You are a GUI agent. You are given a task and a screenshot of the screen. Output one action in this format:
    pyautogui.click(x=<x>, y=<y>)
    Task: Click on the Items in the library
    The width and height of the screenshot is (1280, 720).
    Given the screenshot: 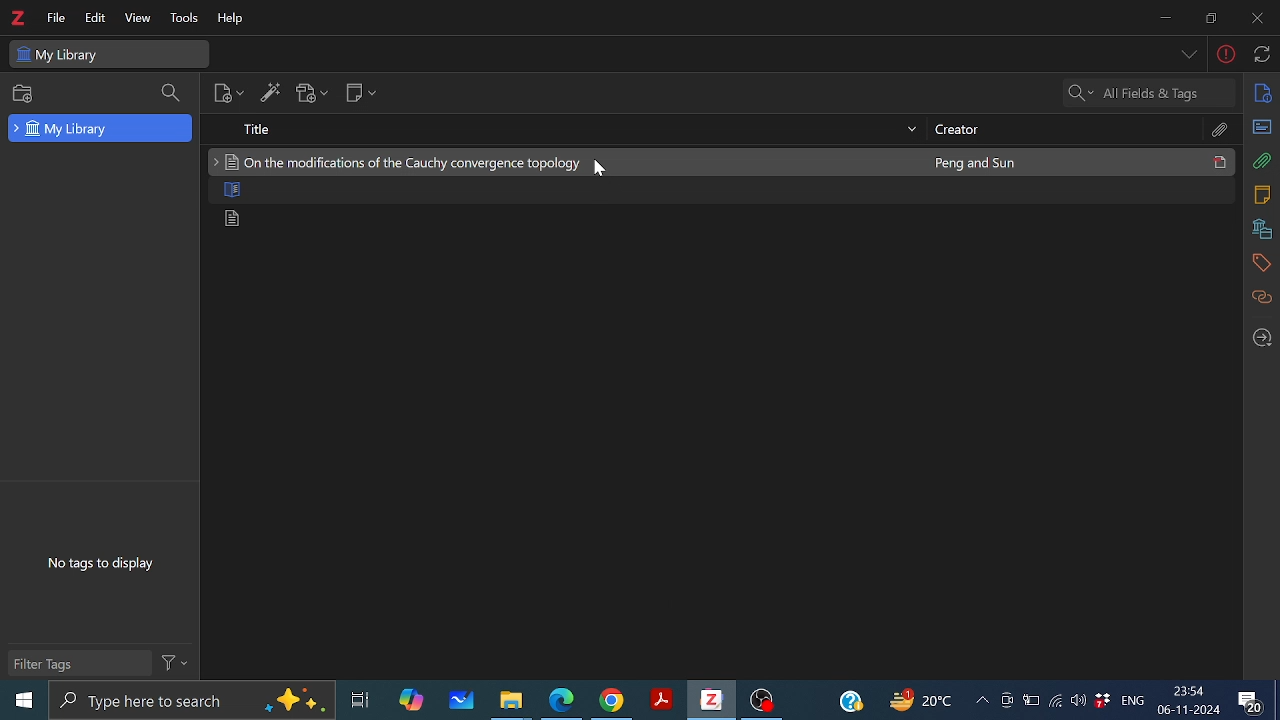 What is the action you would take?
    pyautogui.click(x=720, y=192)
    